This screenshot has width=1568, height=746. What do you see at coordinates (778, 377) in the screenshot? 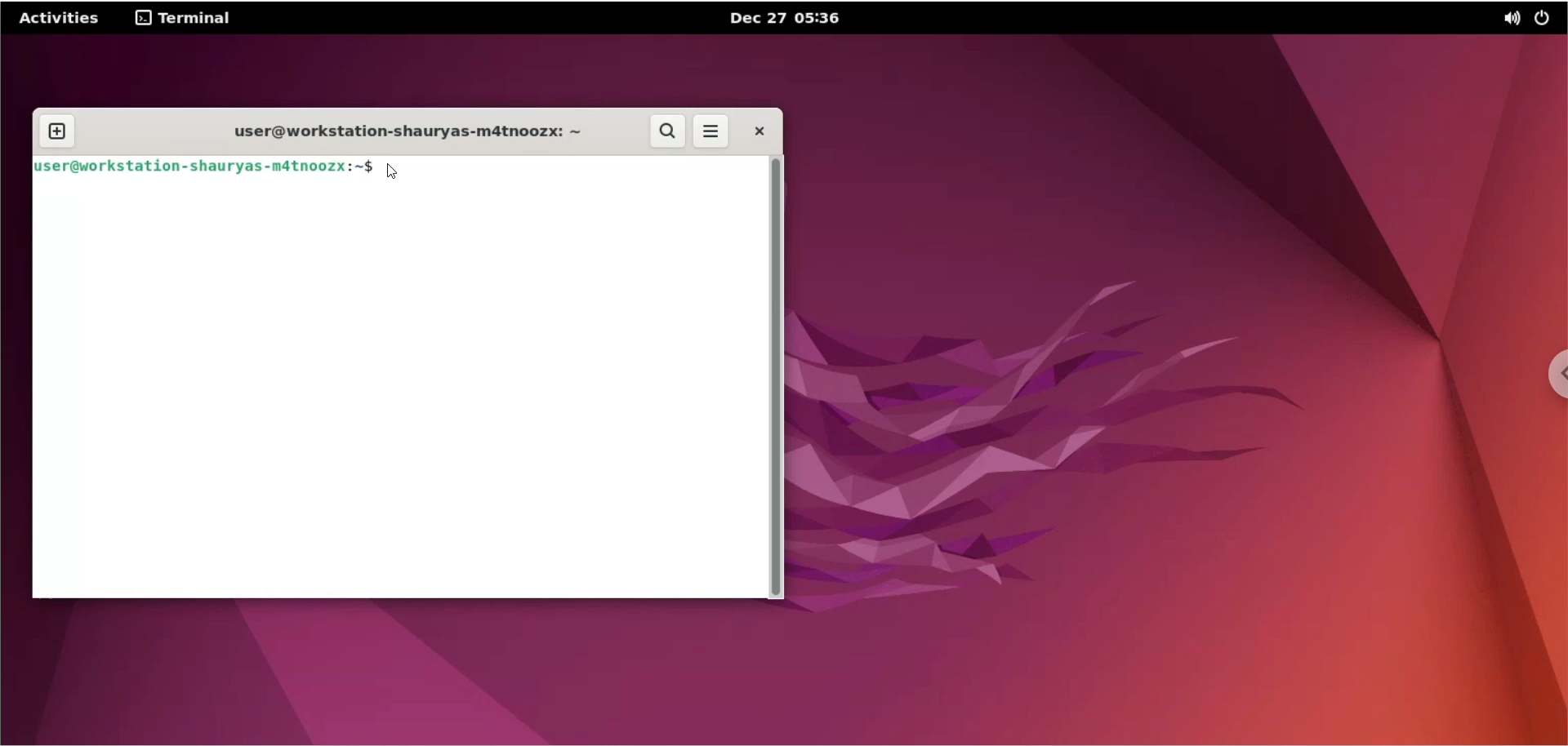
I see `scrollbar` at bounding box center [778, 377].